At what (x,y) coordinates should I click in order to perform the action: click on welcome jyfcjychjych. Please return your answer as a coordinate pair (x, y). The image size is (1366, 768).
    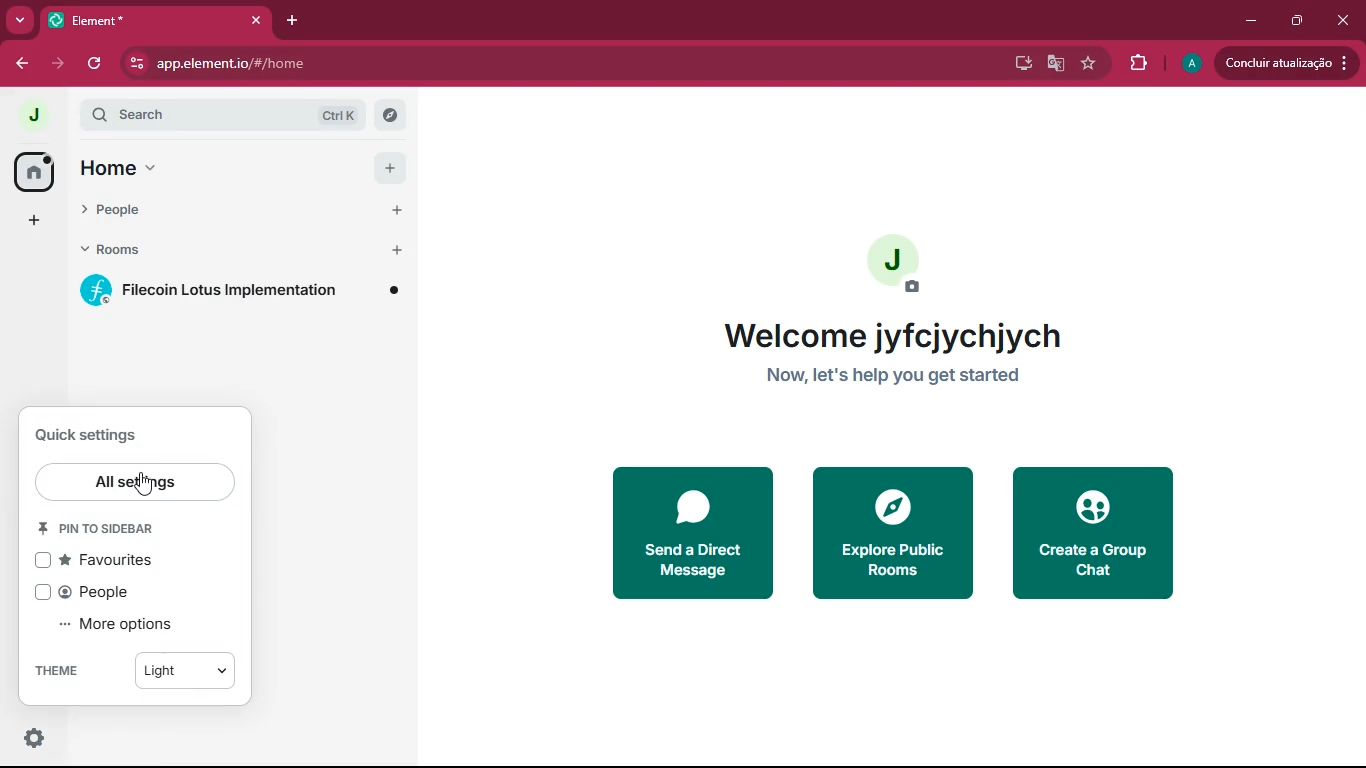
    Looking at the image, I should click on (899, 334).